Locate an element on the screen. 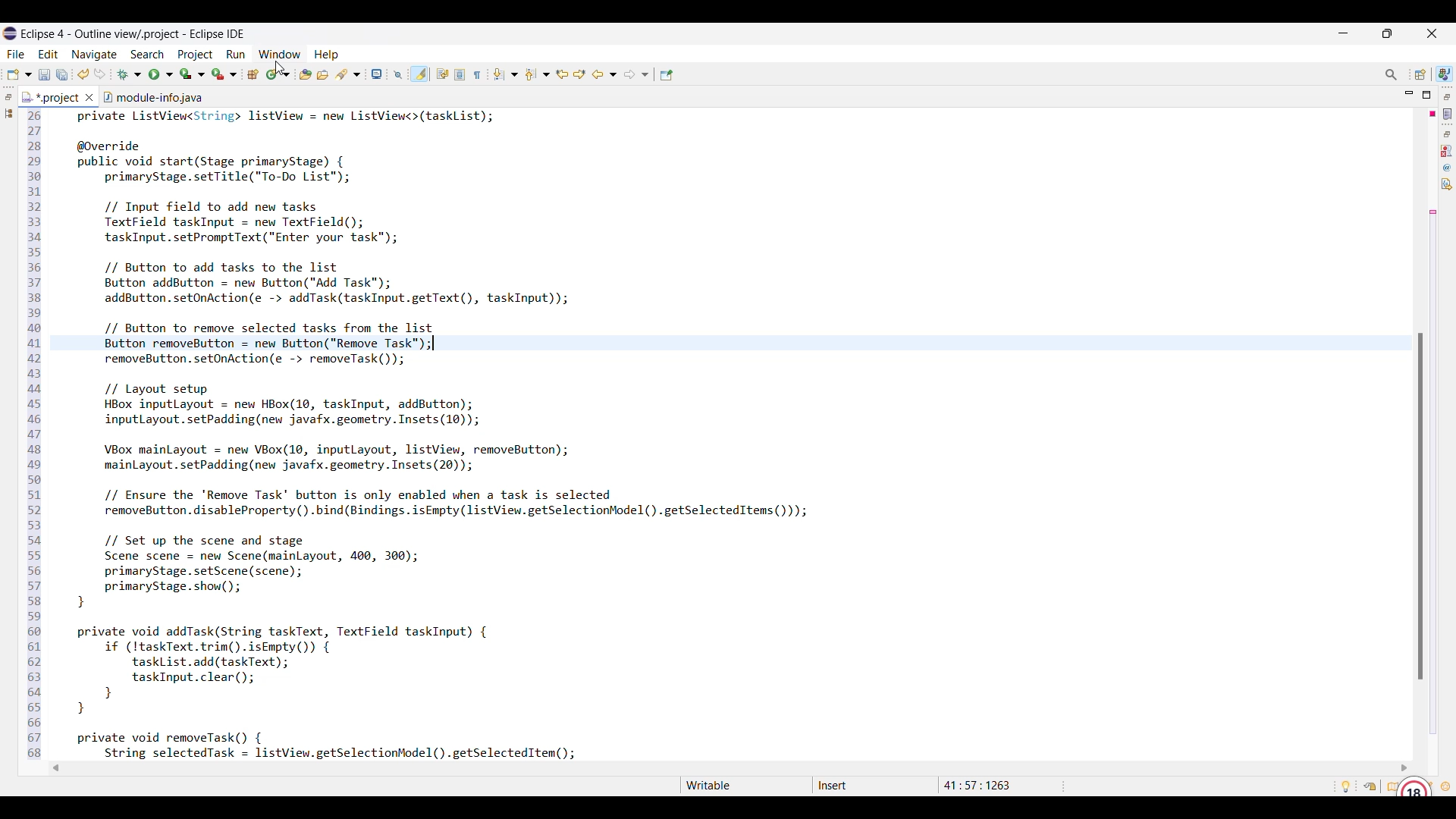 This screenshot has width=1456, height=819. Next edit location is located at coordinates (580, 74).